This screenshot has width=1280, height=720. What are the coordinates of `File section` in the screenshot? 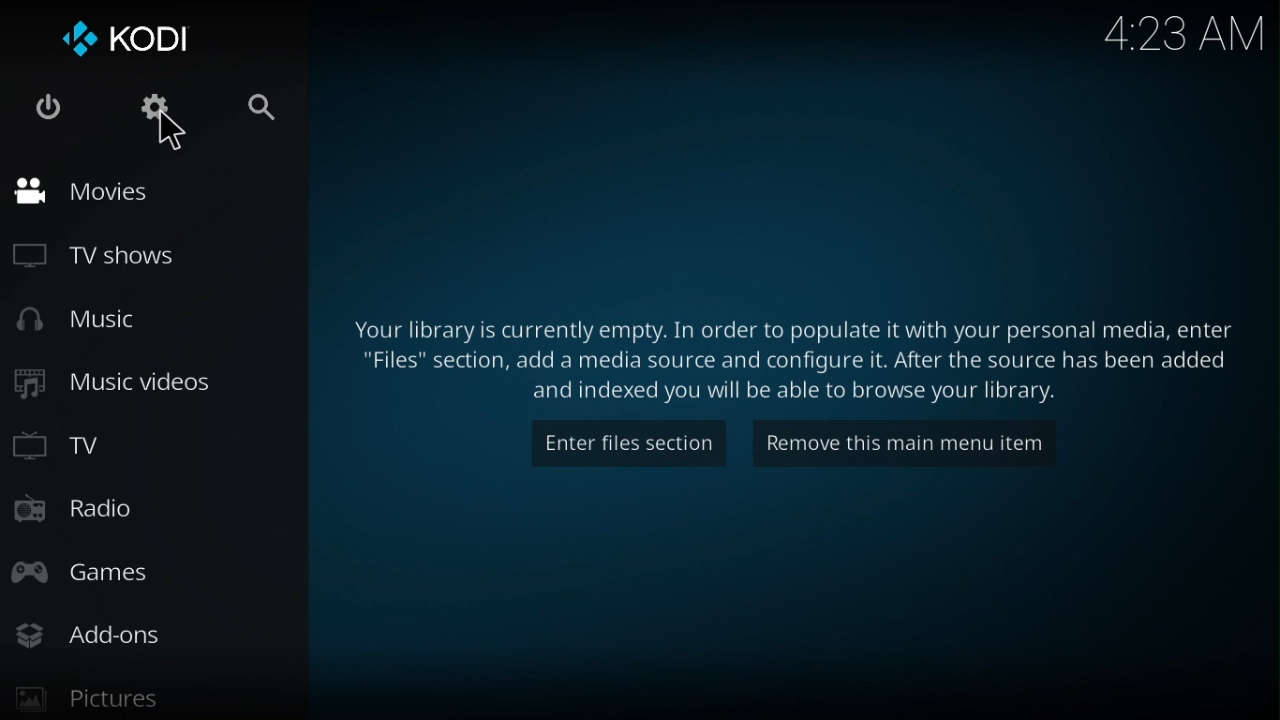 It's located at (627, 444).